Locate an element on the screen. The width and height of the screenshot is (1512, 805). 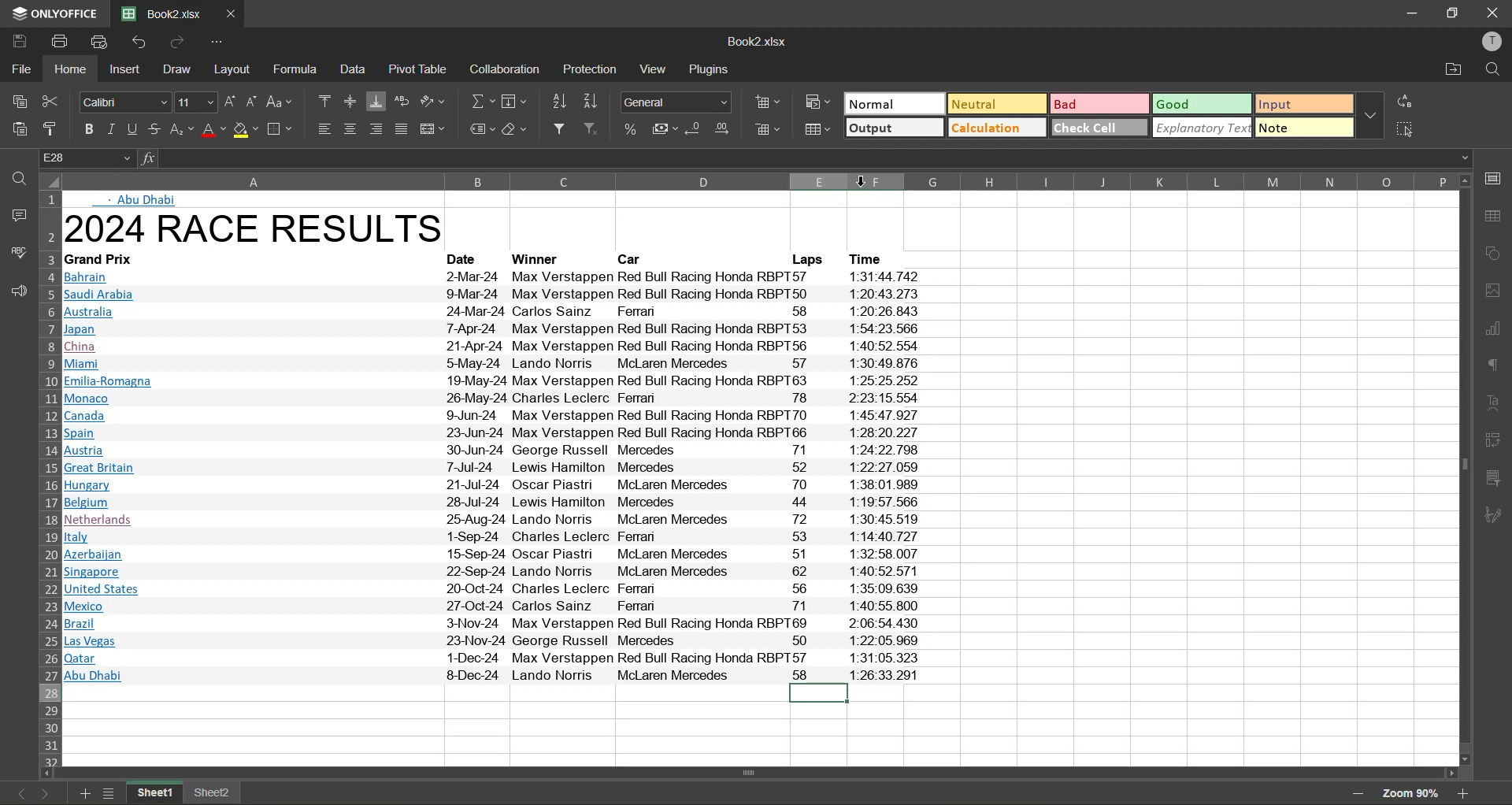
next is located at coordinates (42, 792).